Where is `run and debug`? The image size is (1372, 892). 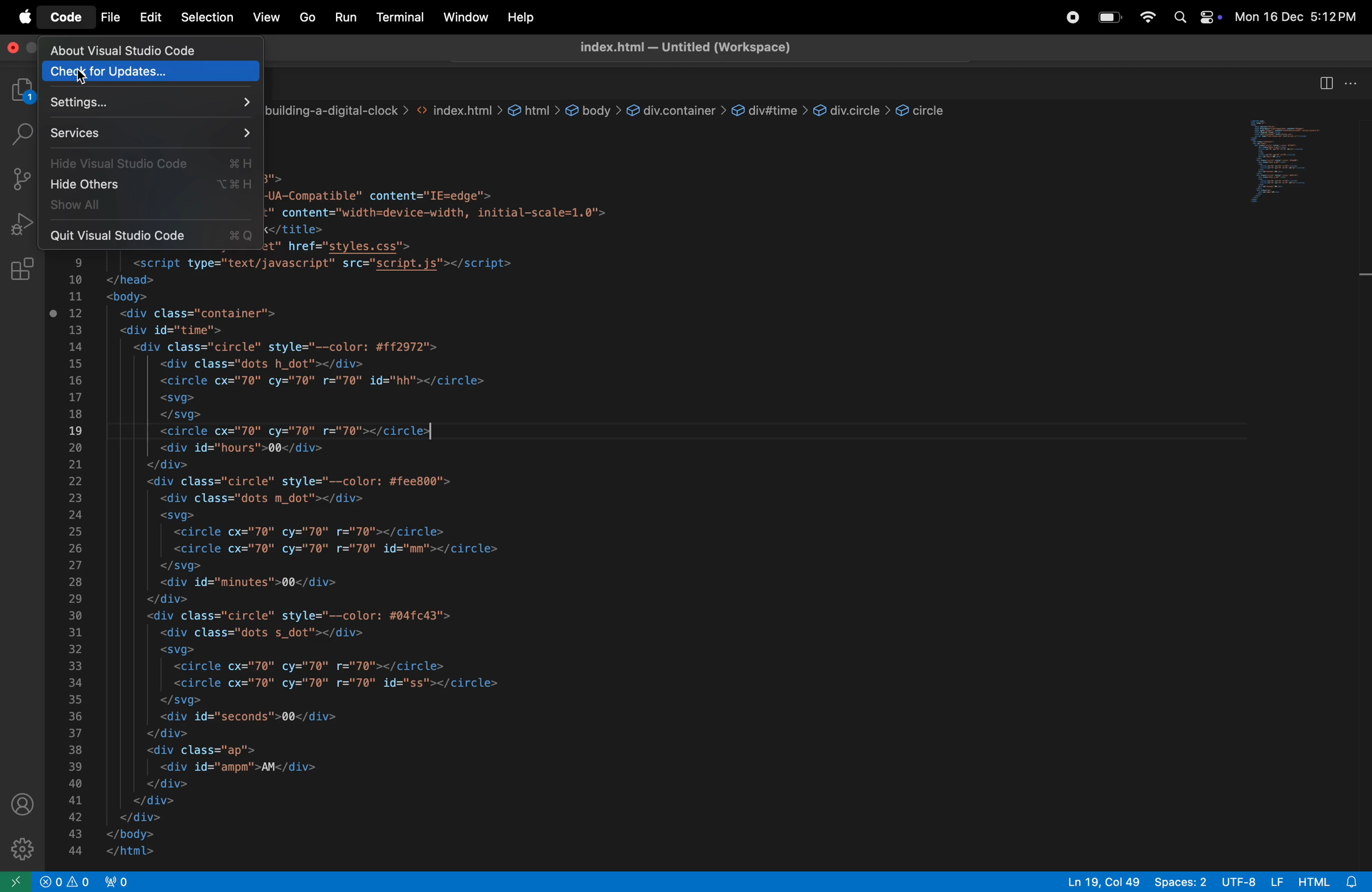
run and debug is located at coordinates (24, 222).